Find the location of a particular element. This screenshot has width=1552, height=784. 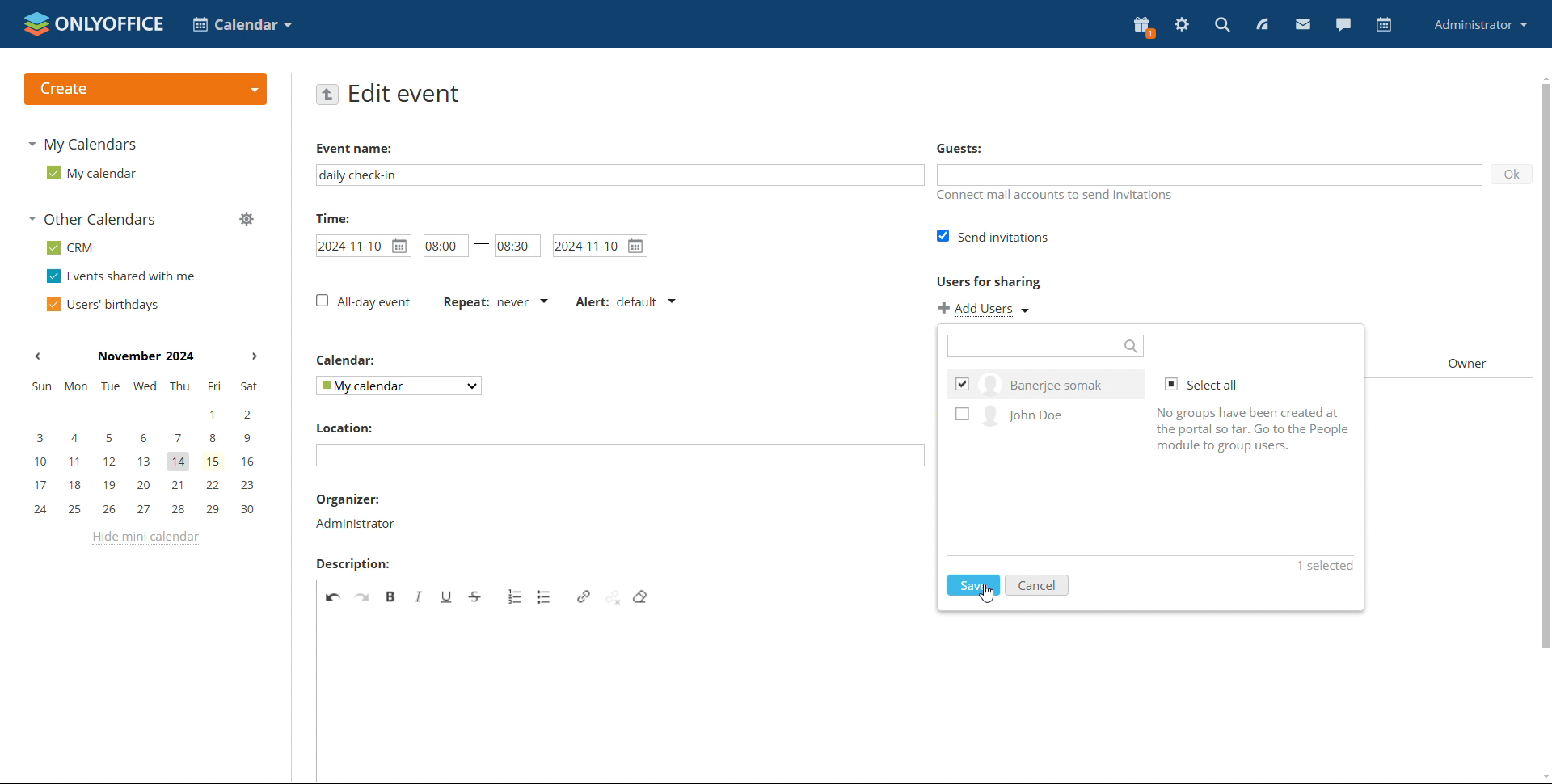

current month is located at coordinates (145, 358).